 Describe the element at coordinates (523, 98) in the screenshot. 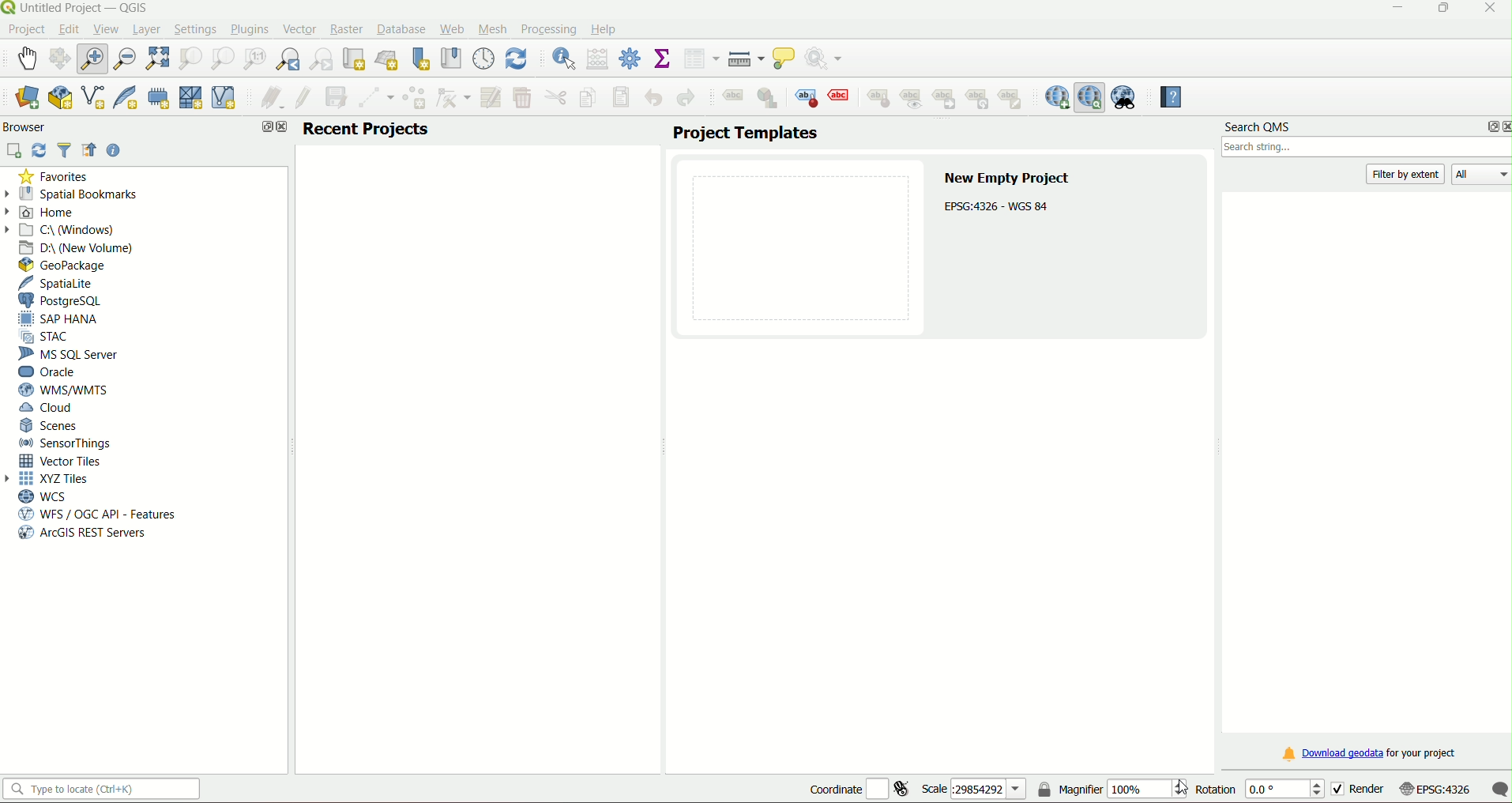

I see `delete selected` at that location.